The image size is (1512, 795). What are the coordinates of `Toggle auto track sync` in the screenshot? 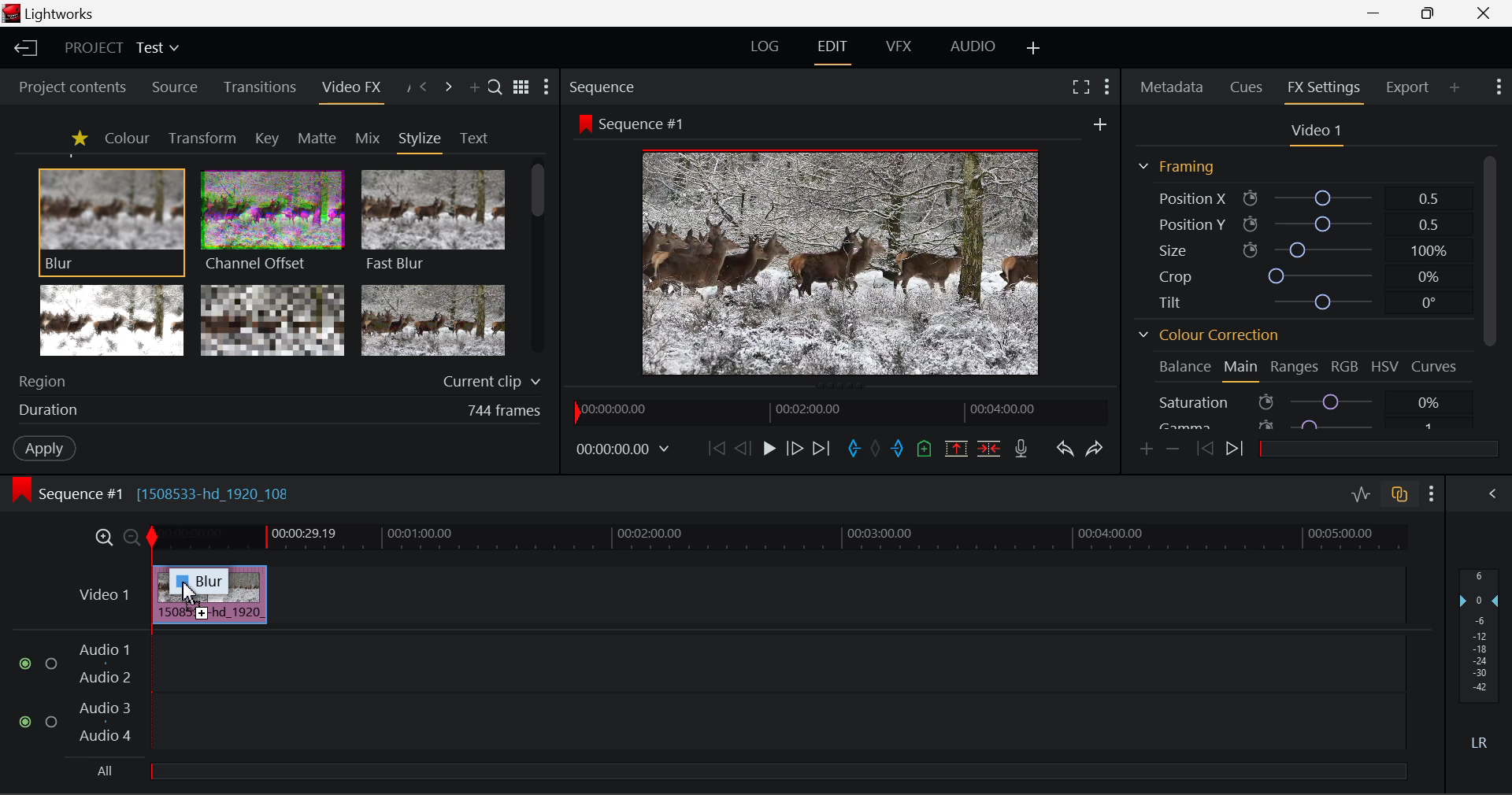 It's located at (1398, 492).